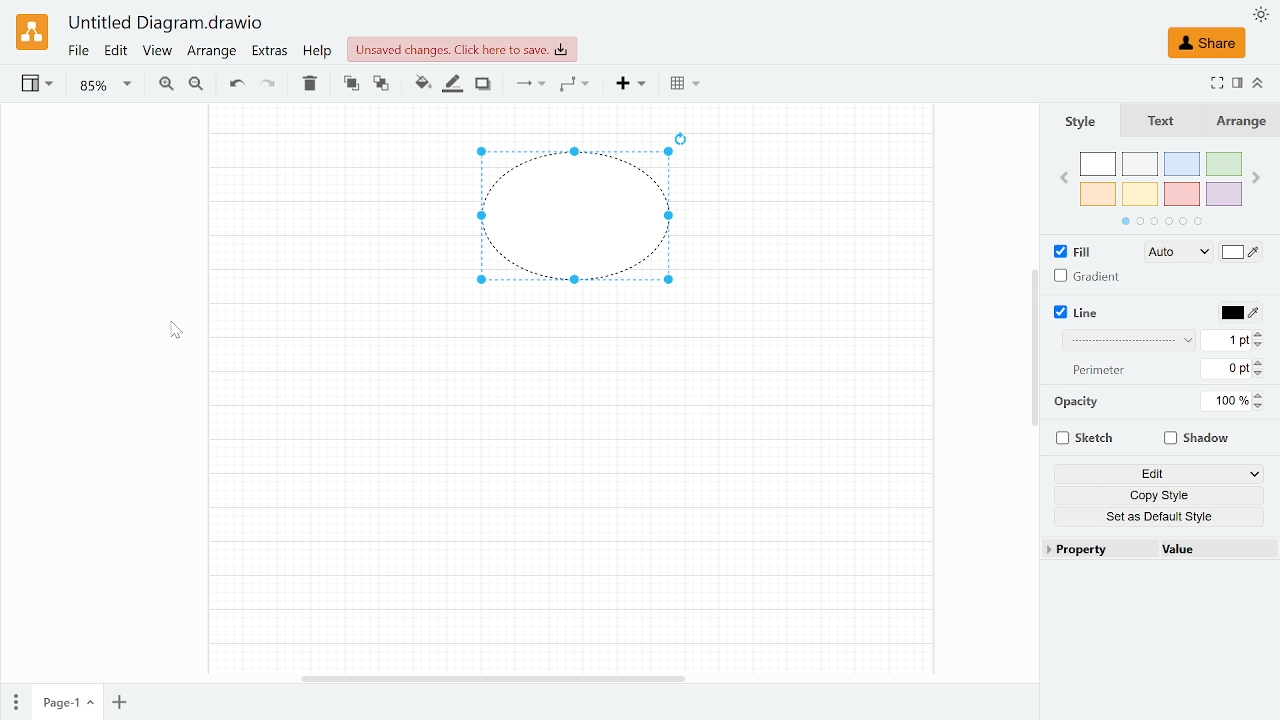 The height and width of the screenshot is (720, 1280). I want to click on Delete, so click(310, 87).